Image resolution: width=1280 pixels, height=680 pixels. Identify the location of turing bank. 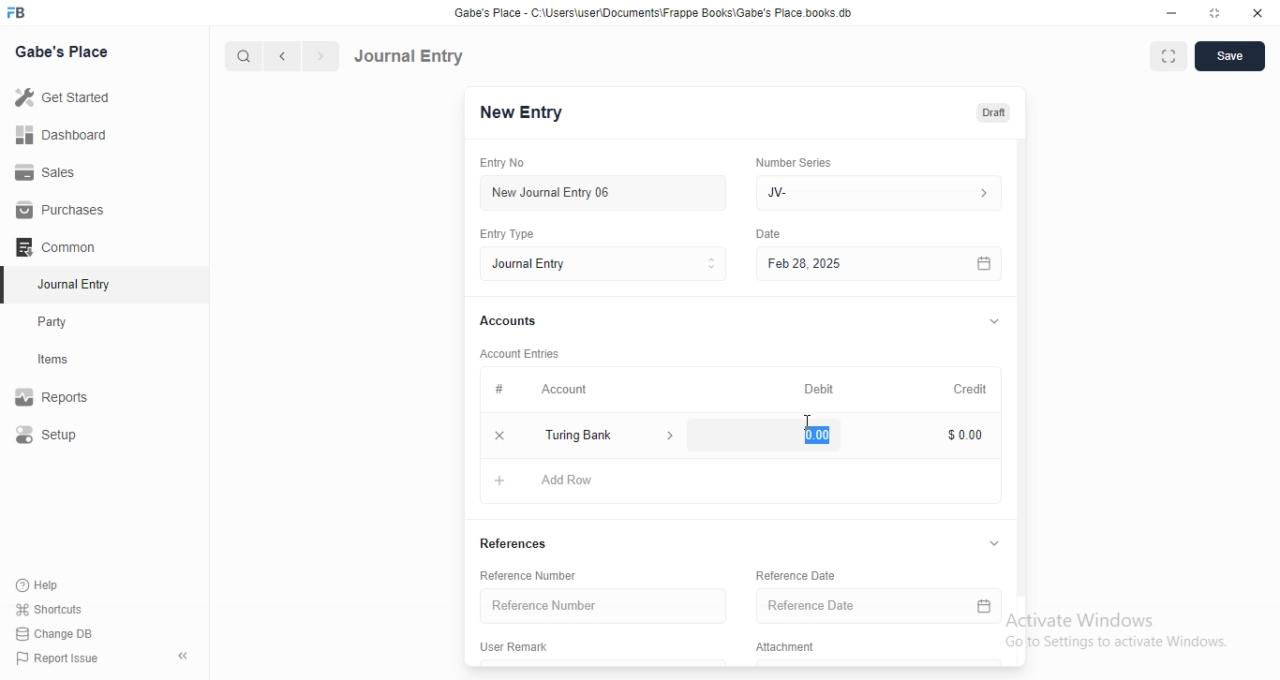
(607, 437).